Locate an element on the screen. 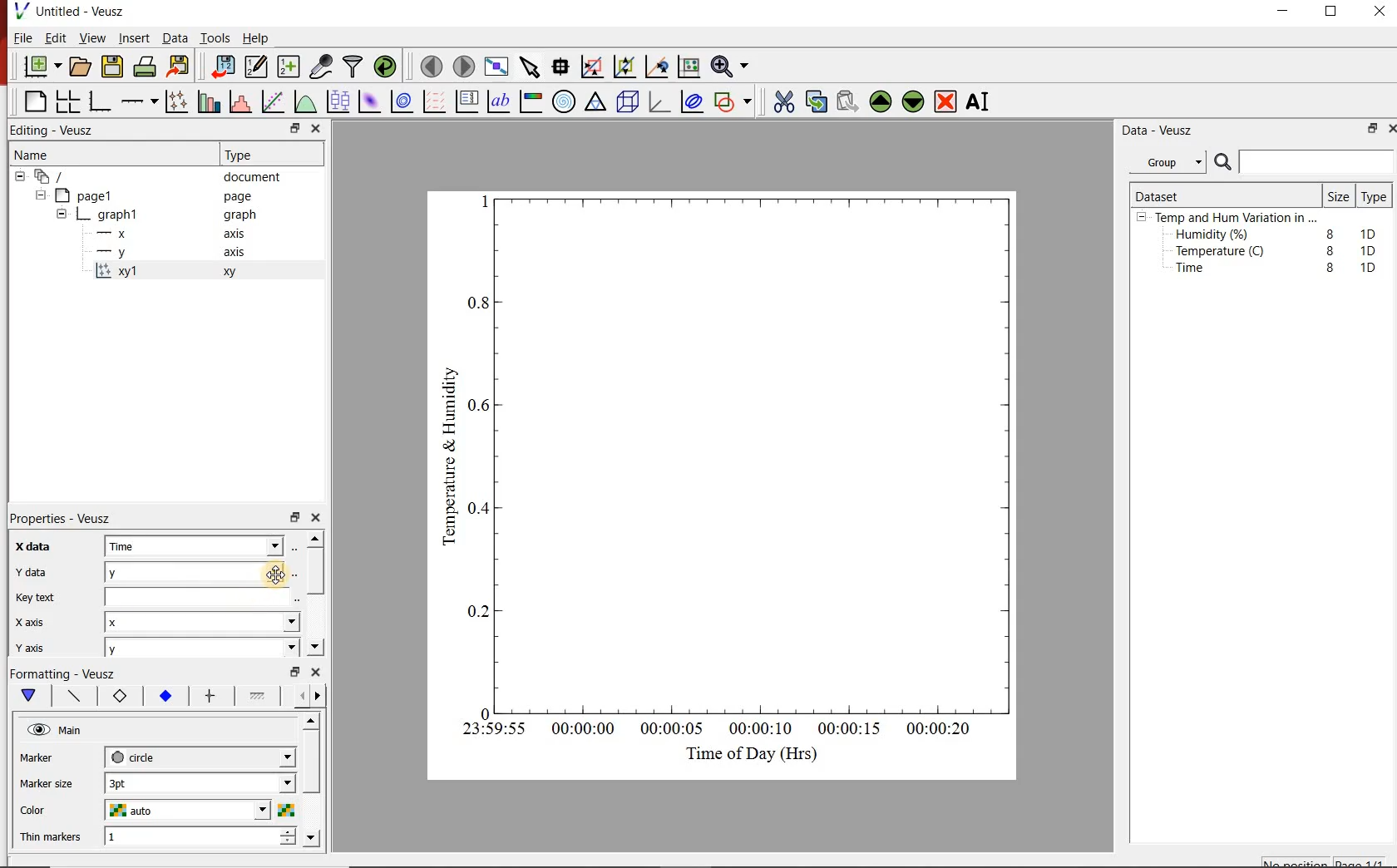 The height and width of the screenshot is (868, 1397). Select using dataset browser is located at coordinates (295, 572).